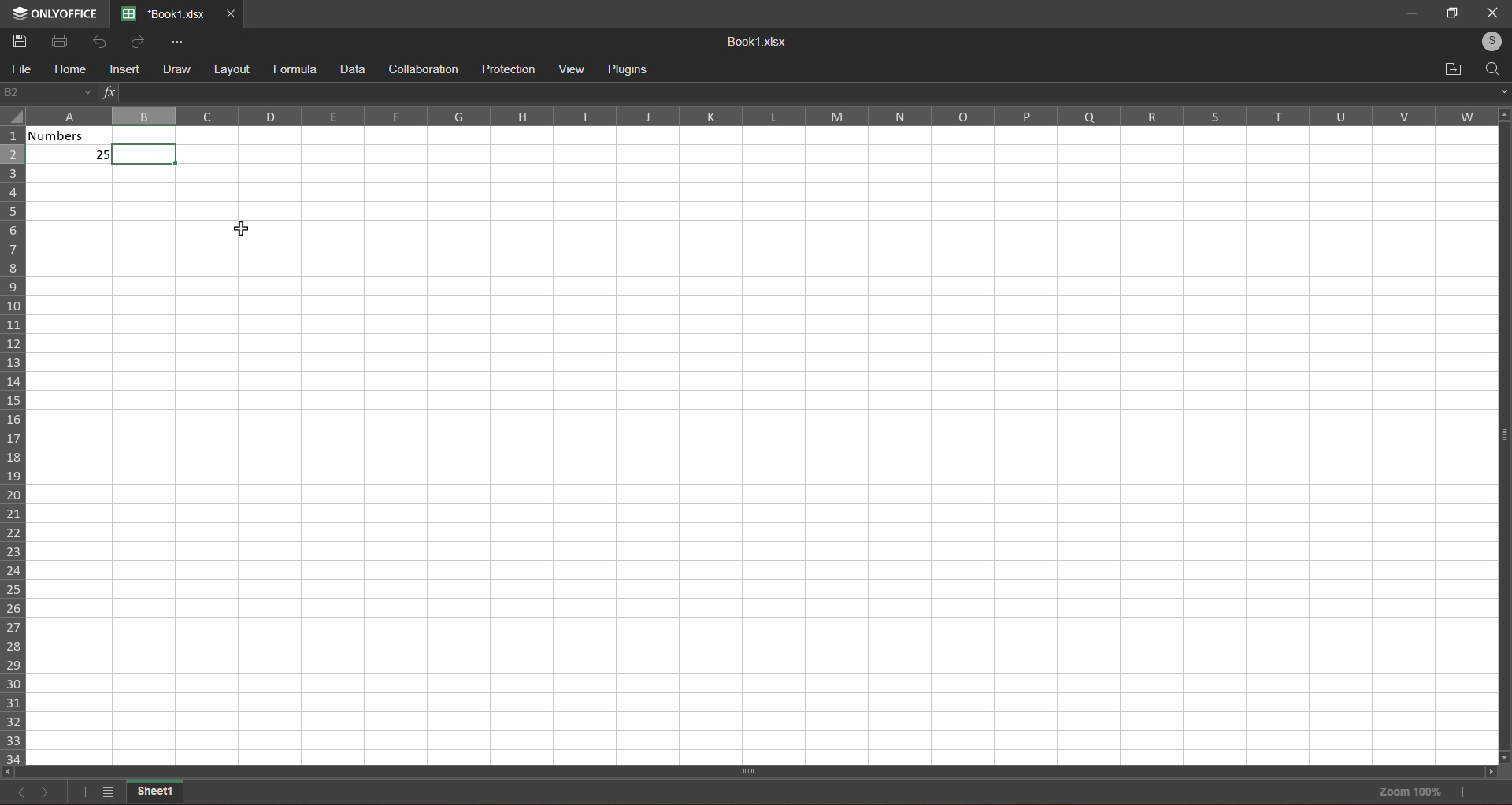 Image resolution: width=1512 pixels, height=805 pixels. Describe the element at coordinates (14, 443) in the screenshot. I see `row labels` at that location.